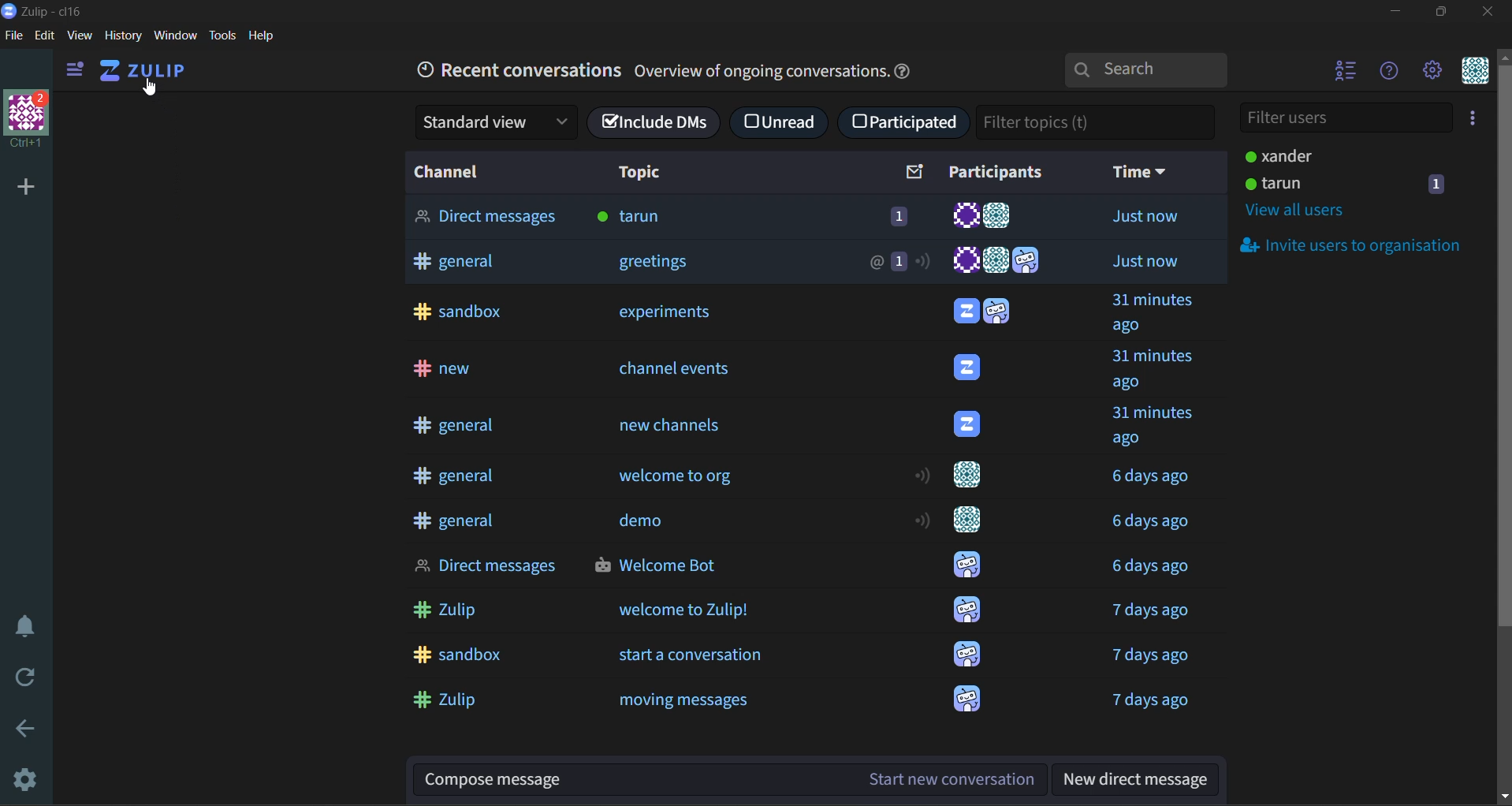  Describe the element at coordinates (685, 479) in the screenshot. I see `welcome to org` at that location.